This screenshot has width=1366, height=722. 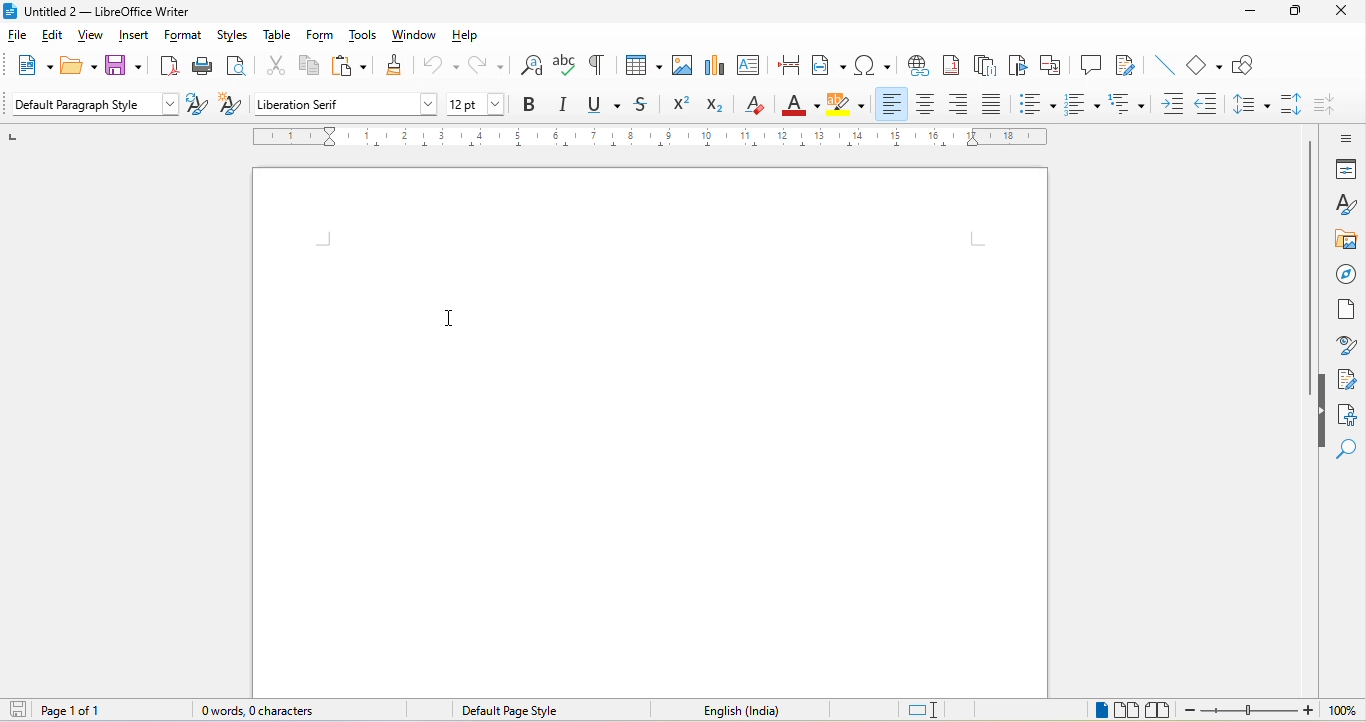 I want to click on font color, so click(x=796, y=106).